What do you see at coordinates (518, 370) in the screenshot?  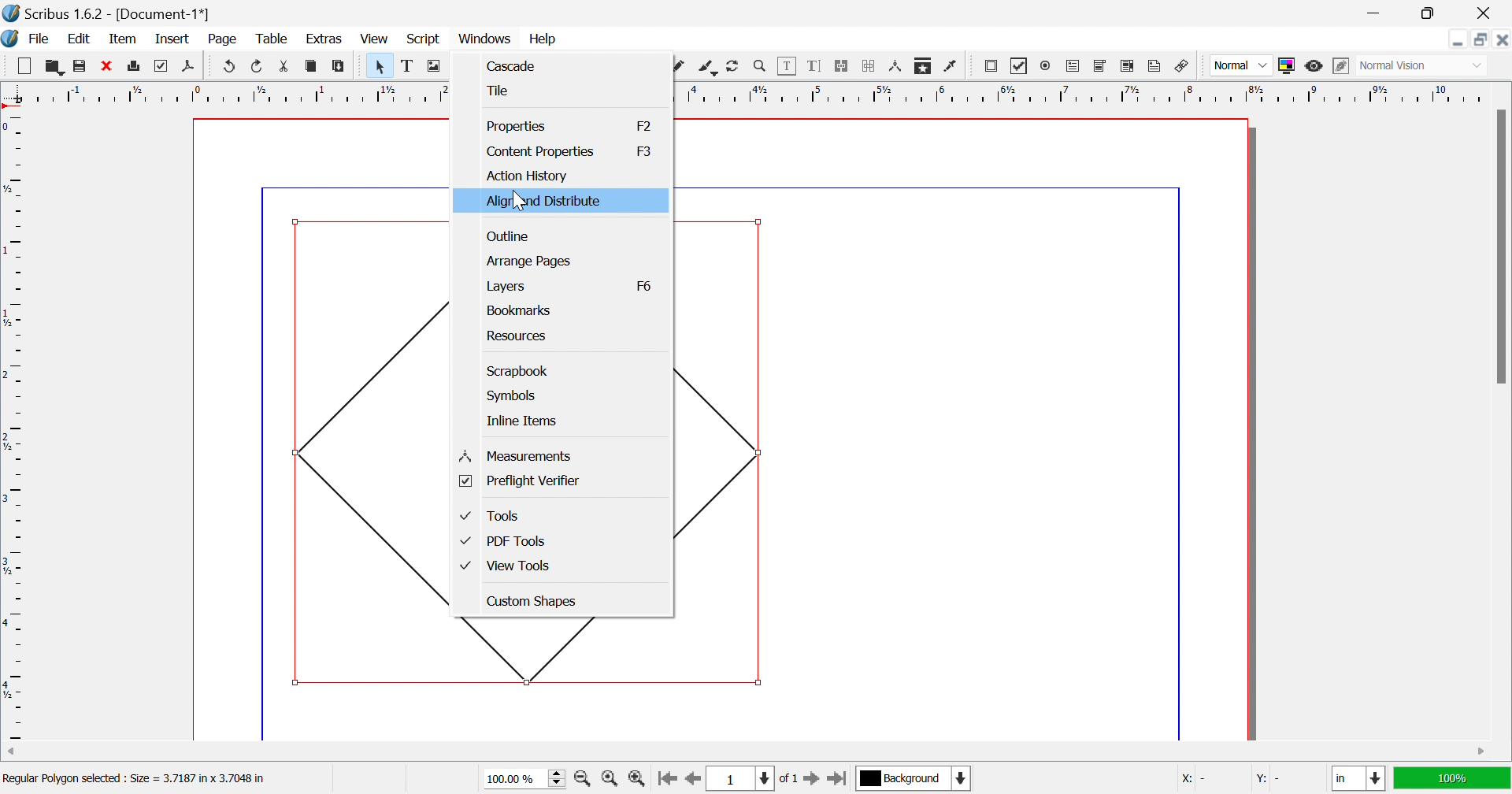 I see `Scrapbook` at bounding box center [518, 370].